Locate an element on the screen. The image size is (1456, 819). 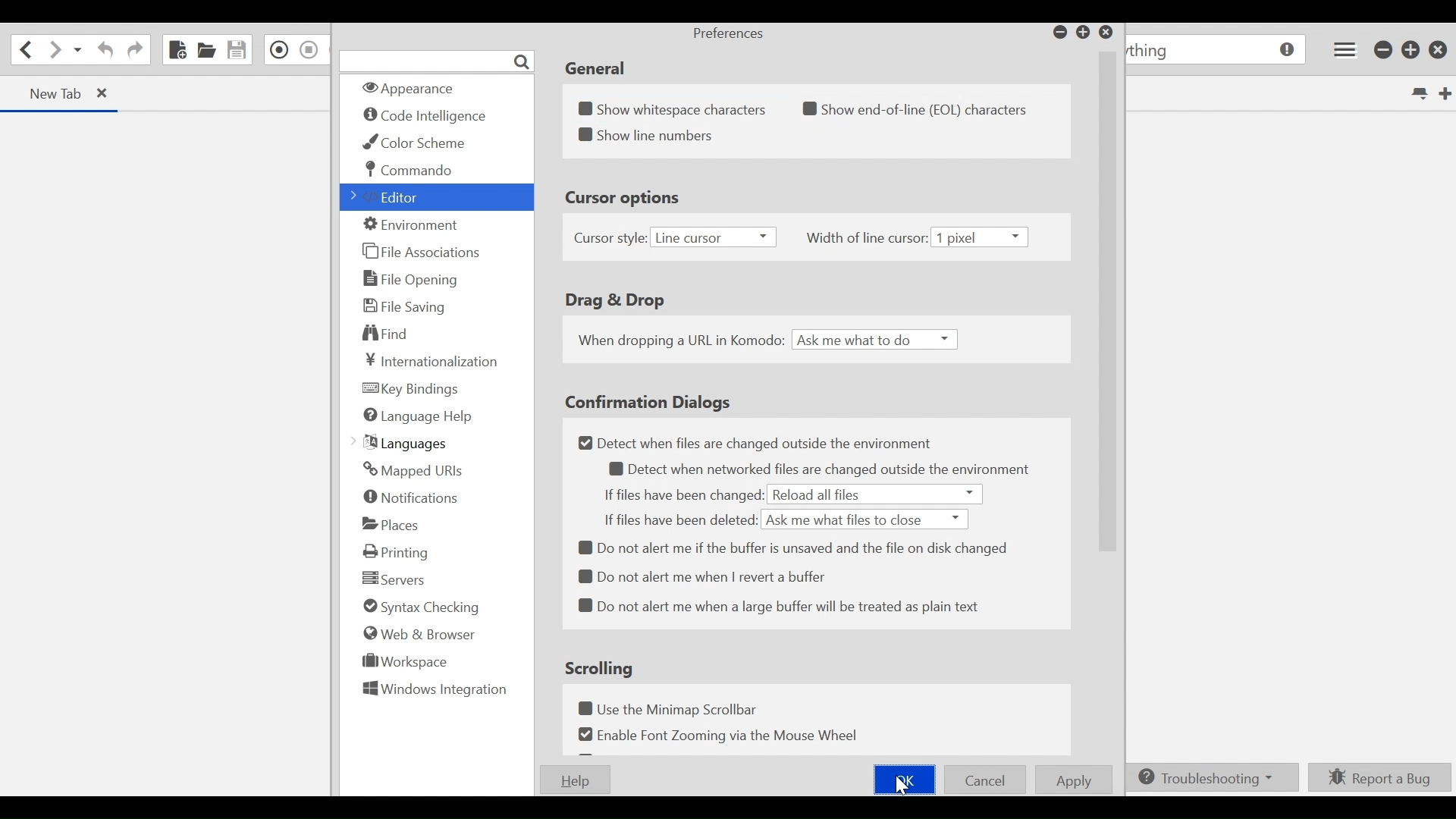
Printing is located at coordinates (397, 552).